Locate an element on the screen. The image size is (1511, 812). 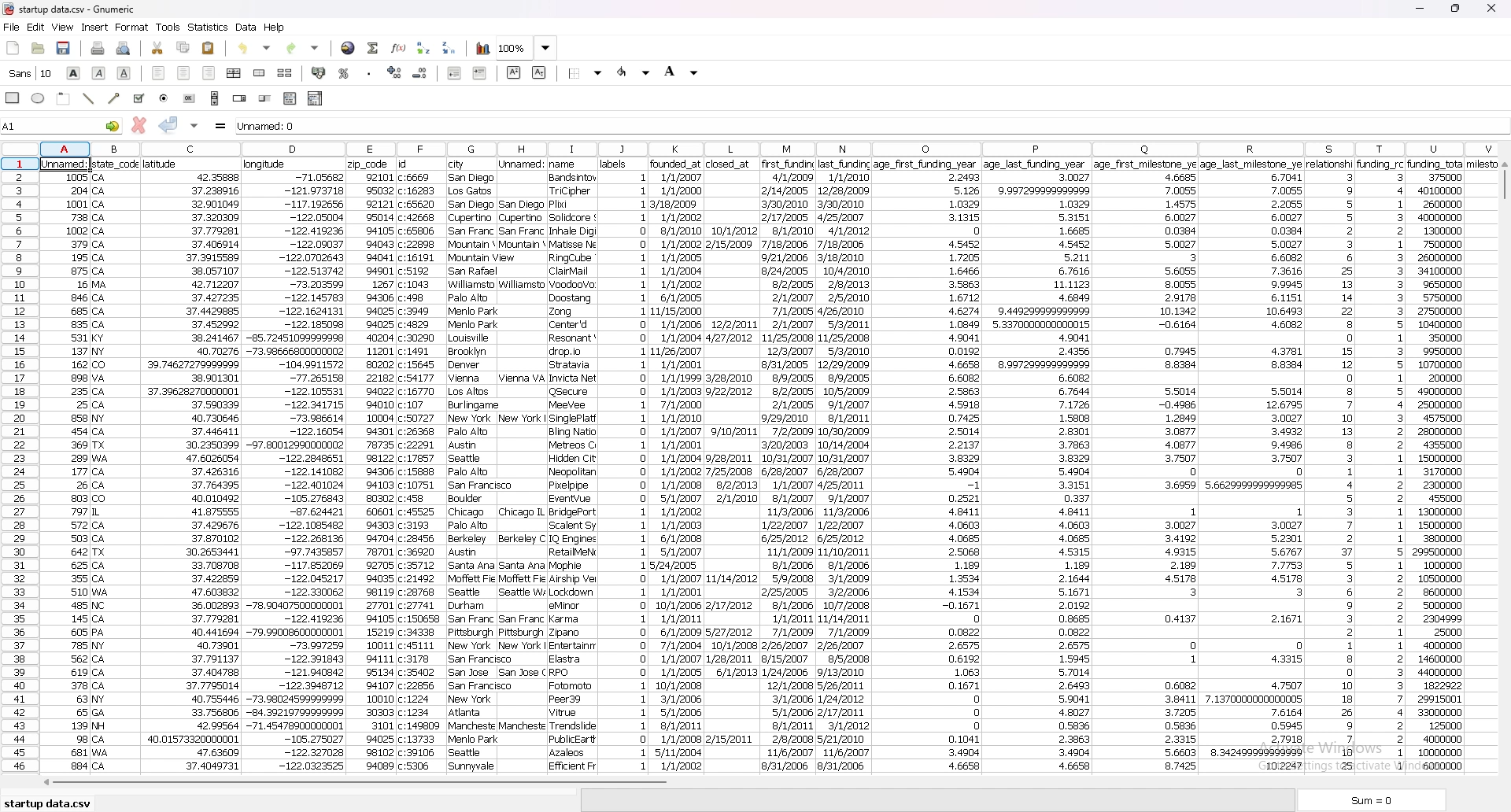
arrowed line is located at coordinates (113, 98).